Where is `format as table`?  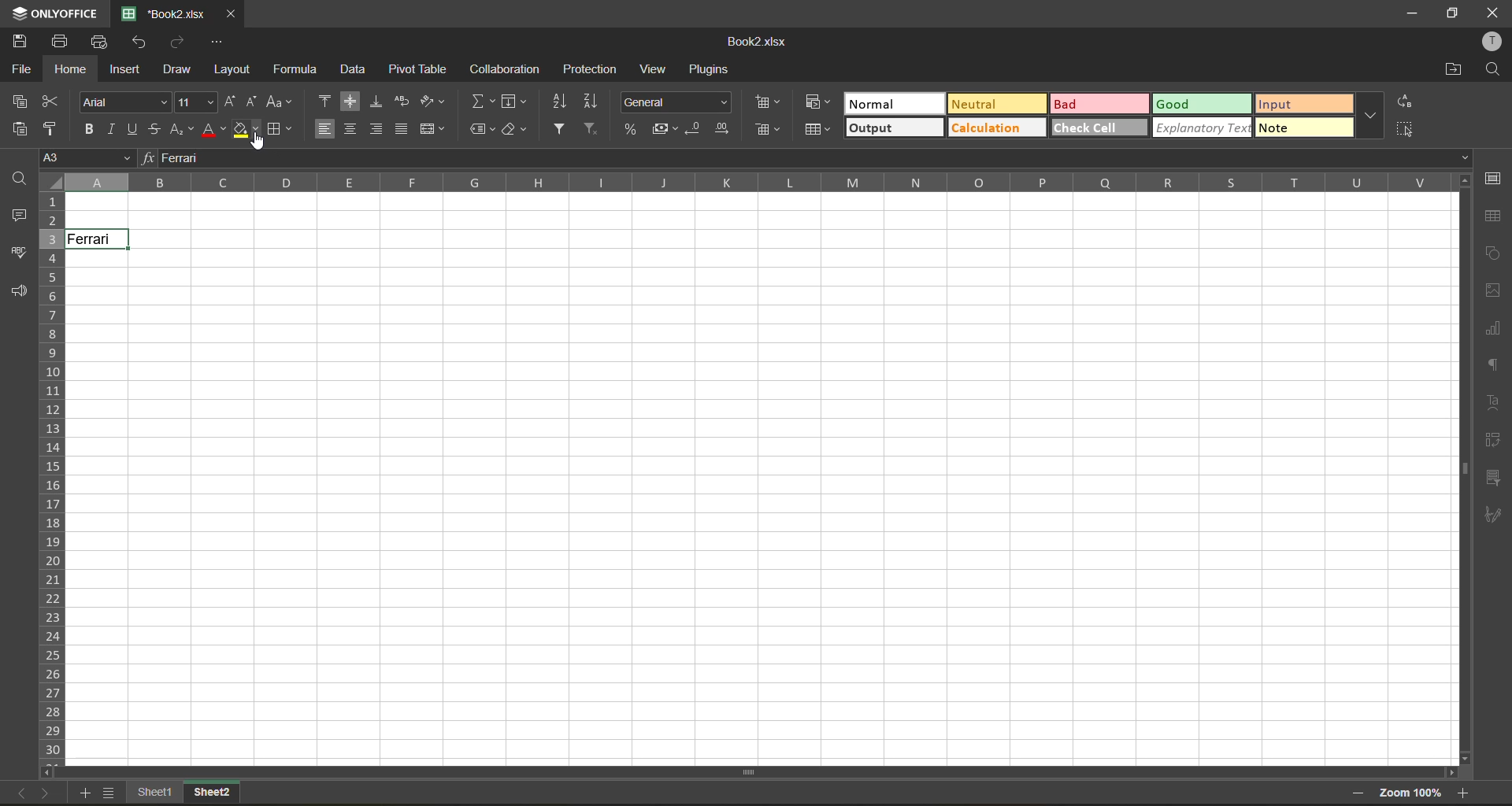
format as table is located at coordinates (815, 131).